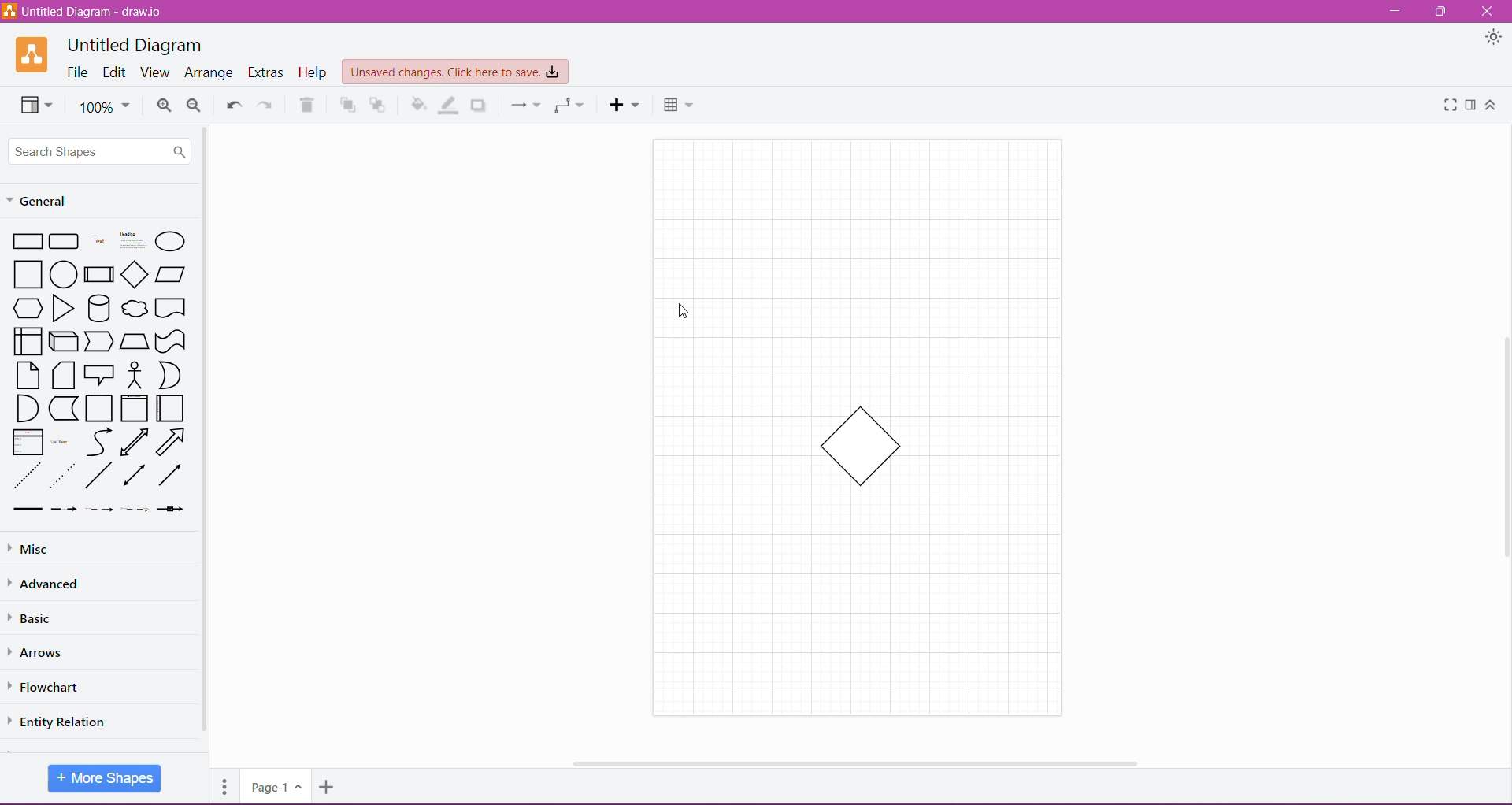 Image resolution: width=1512 pixels, height=805 pixels. Describe the element at coordinates (1450, 106) in the screenshot. I see `Fullscreen` at that location.